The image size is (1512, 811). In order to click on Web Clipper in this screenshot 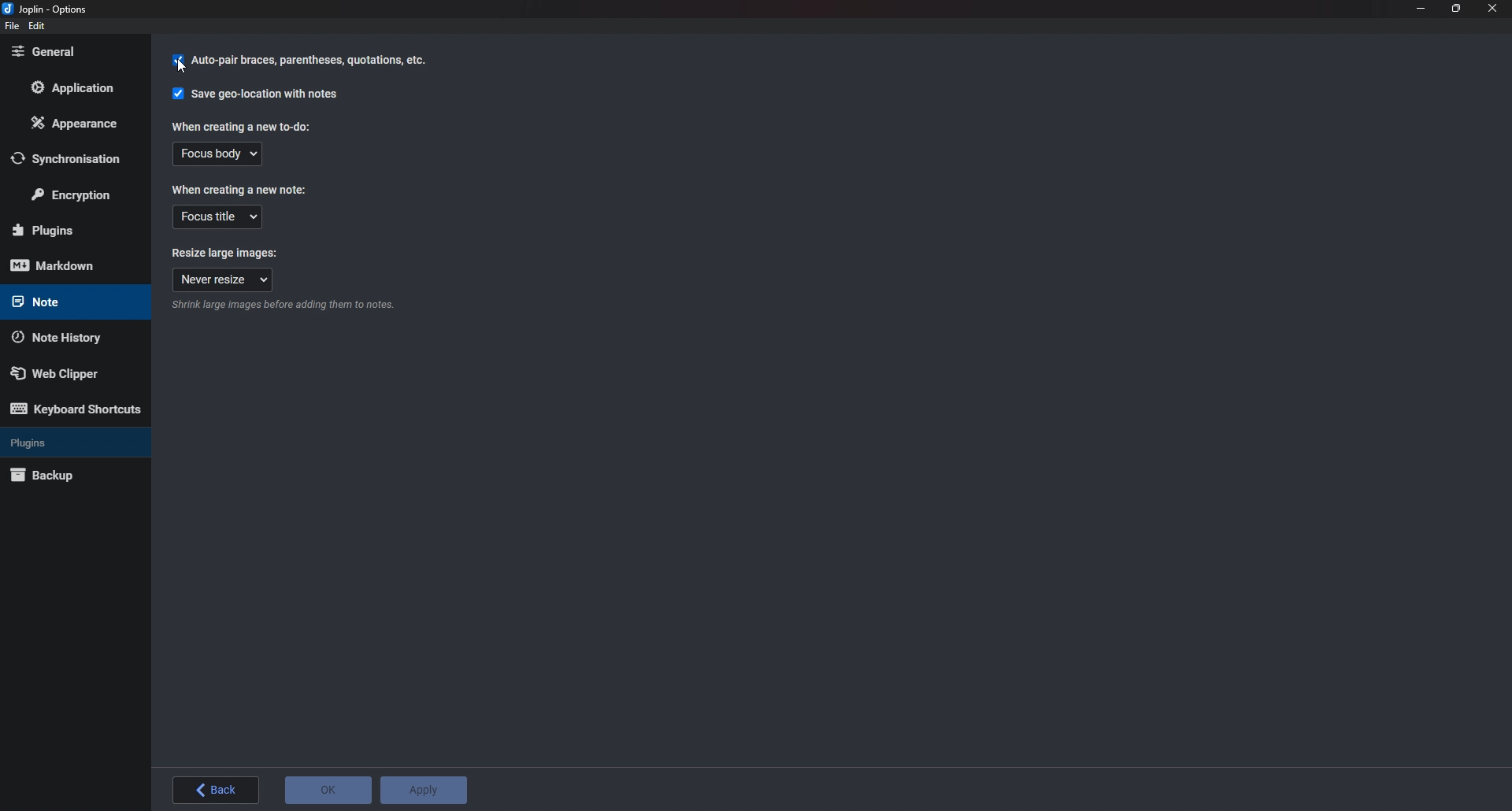, I will do `click(70, 372)`.